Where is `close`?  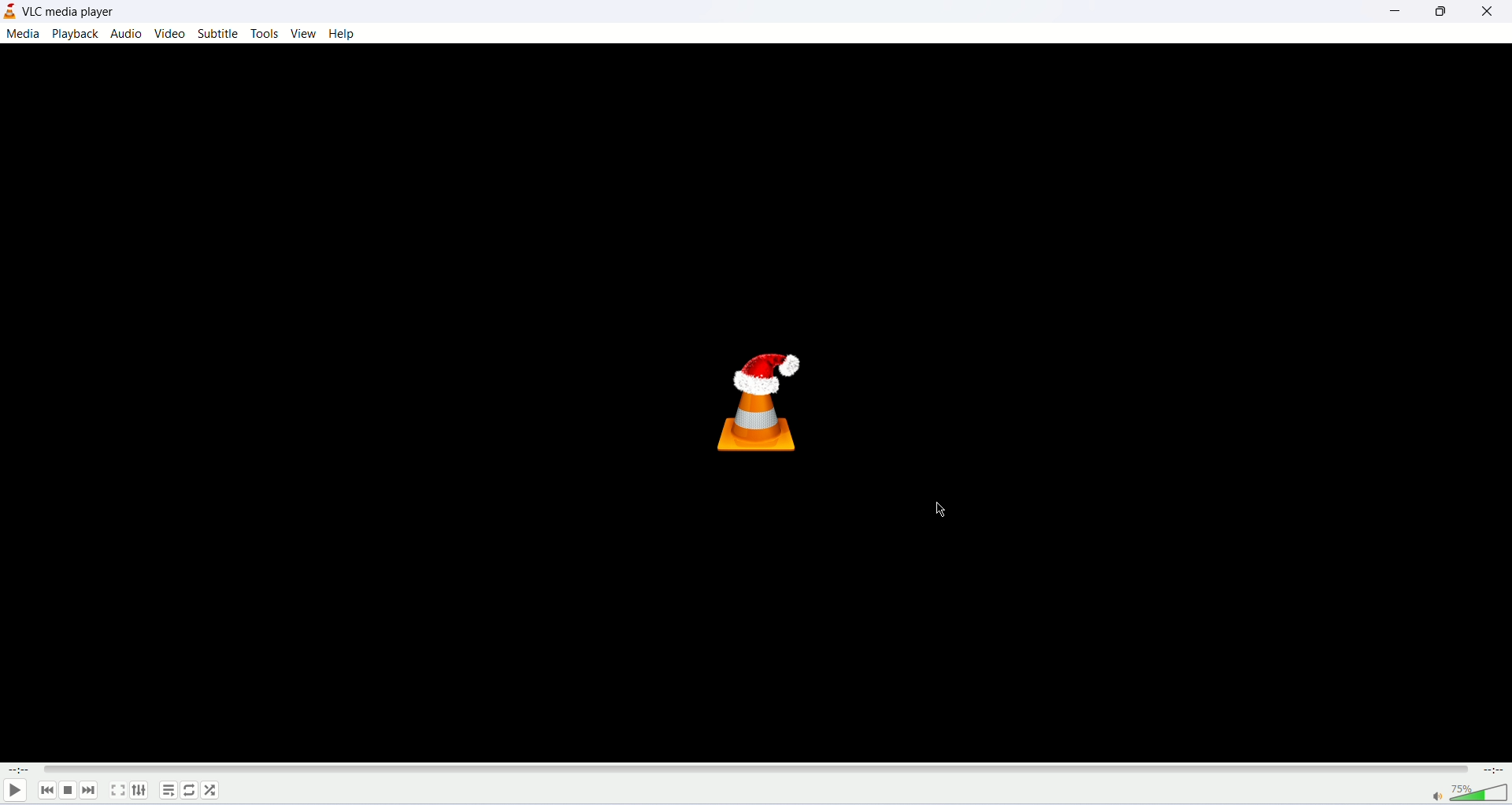 close is located at coordinates (1492, 10).